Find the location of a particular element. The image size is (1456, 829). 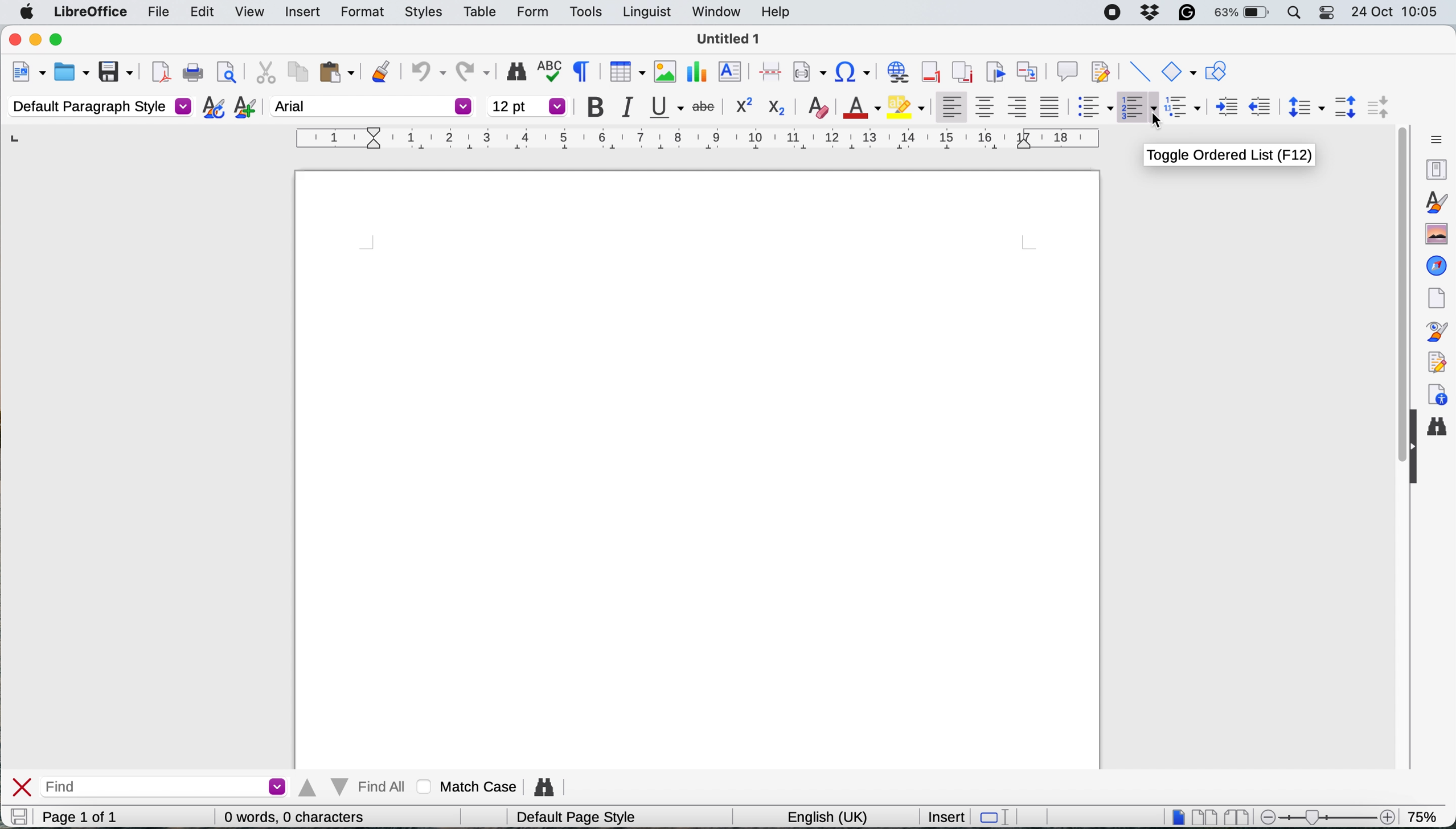

table is located at coordinates (483, 11).